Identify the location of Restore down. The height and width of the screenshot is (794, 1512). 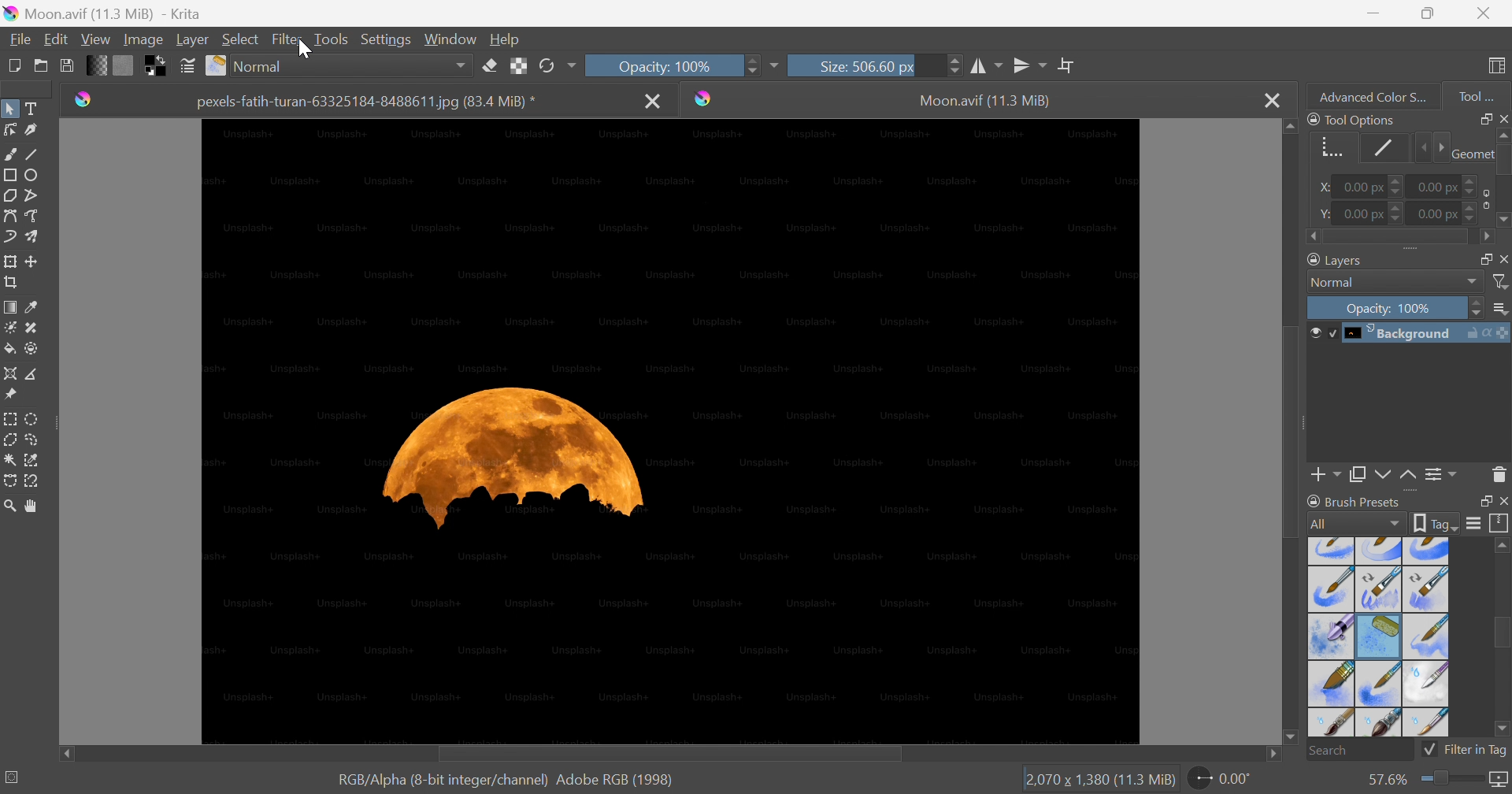
(1480, 258).